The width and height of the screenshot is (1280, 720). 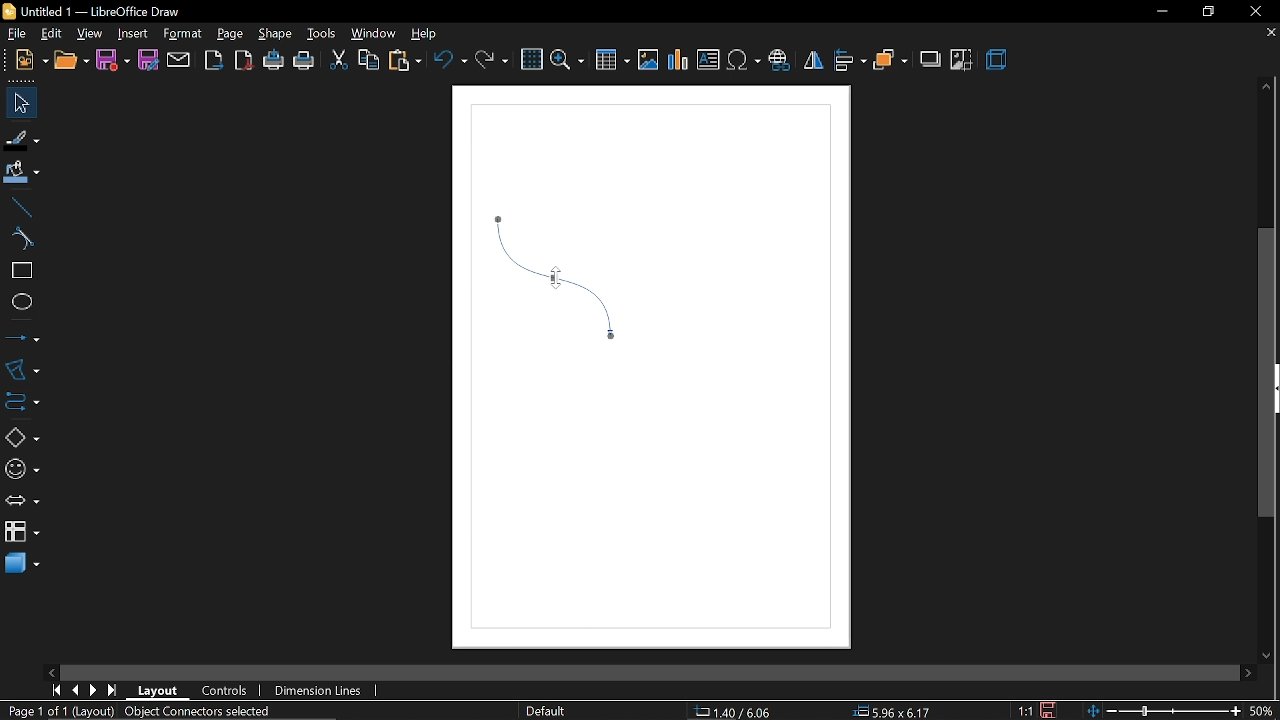 What do you see at coordinates (1253, 11) in the screenshot?
I see `close` at bounding box center [1253, 11].